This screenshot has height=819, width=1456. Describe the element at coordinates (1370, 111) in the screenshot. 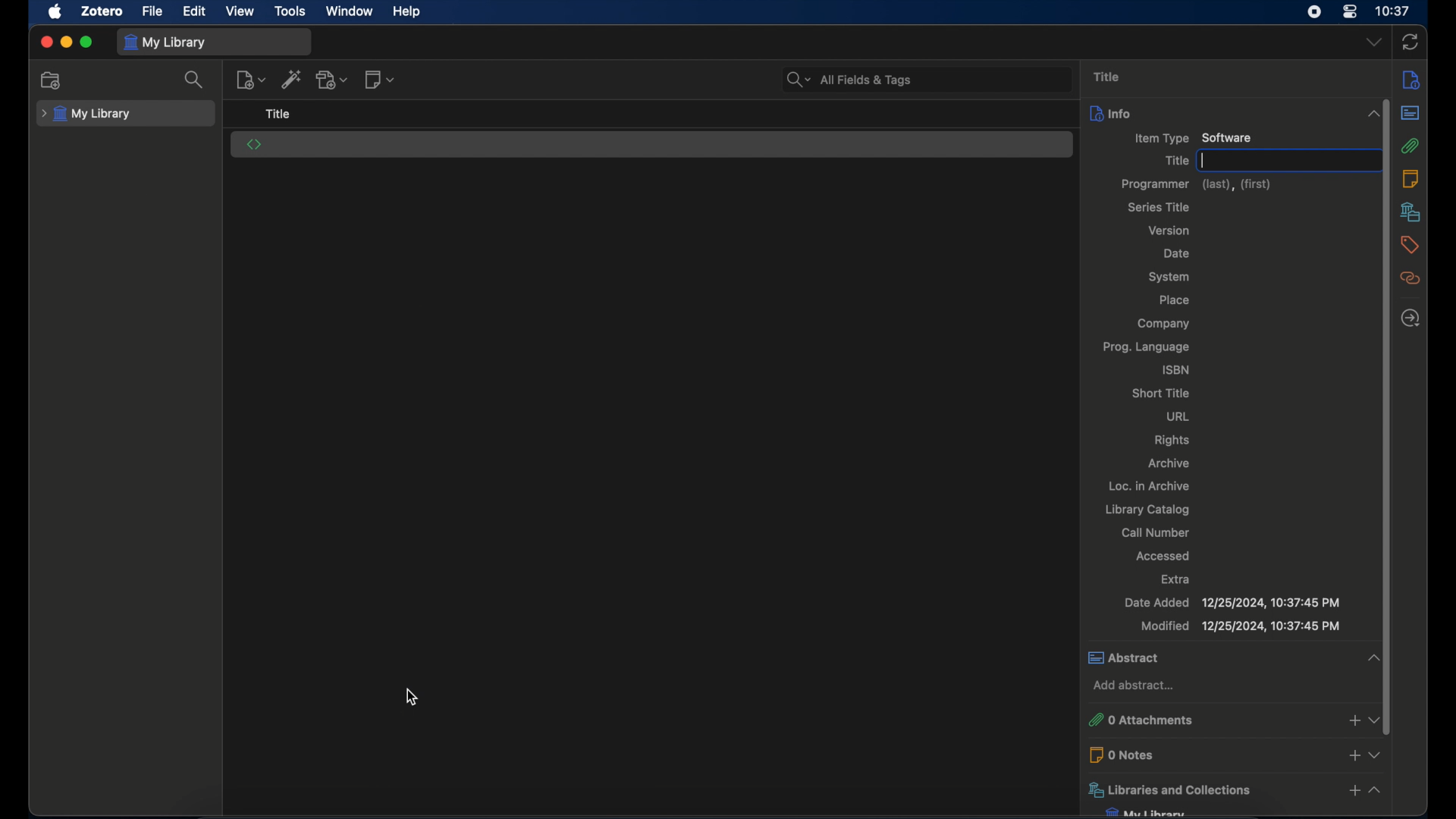

I see `collapse` at that location.